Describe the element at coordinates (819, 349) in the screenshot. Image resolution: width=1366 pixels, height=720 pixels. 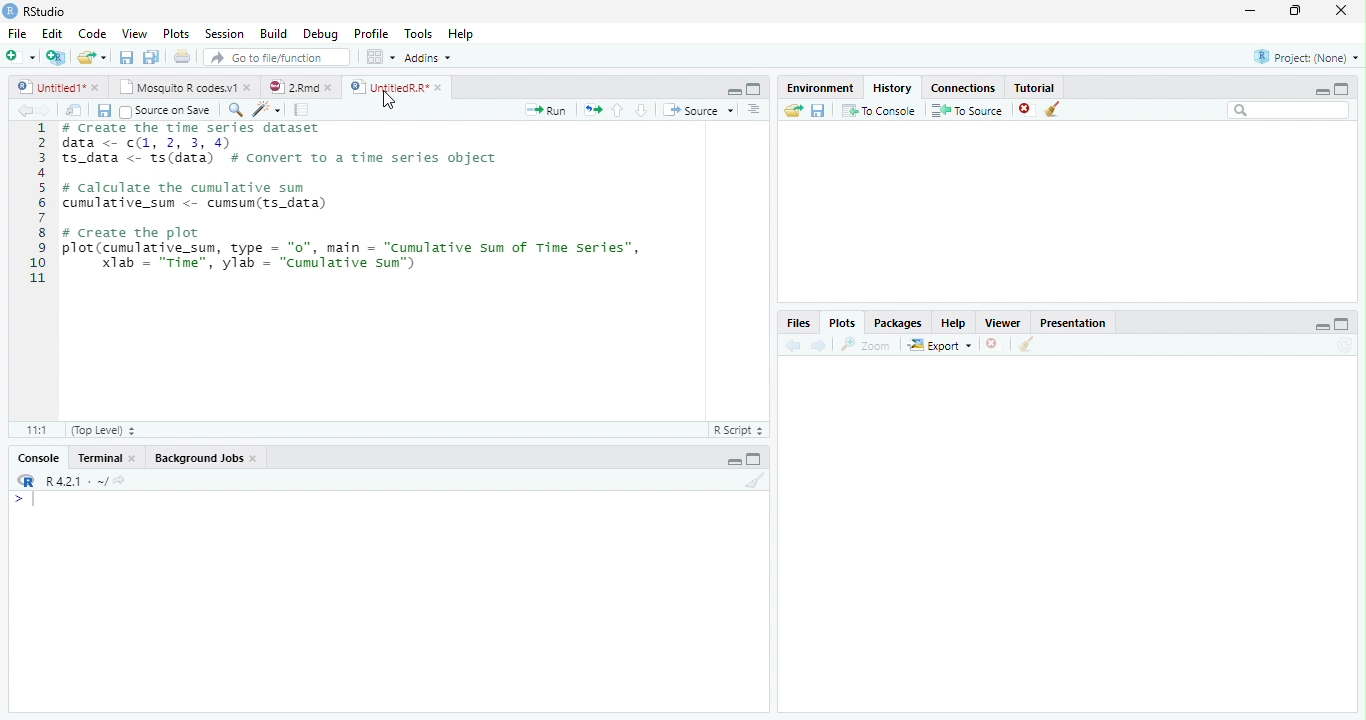
I see `Next` at that location.